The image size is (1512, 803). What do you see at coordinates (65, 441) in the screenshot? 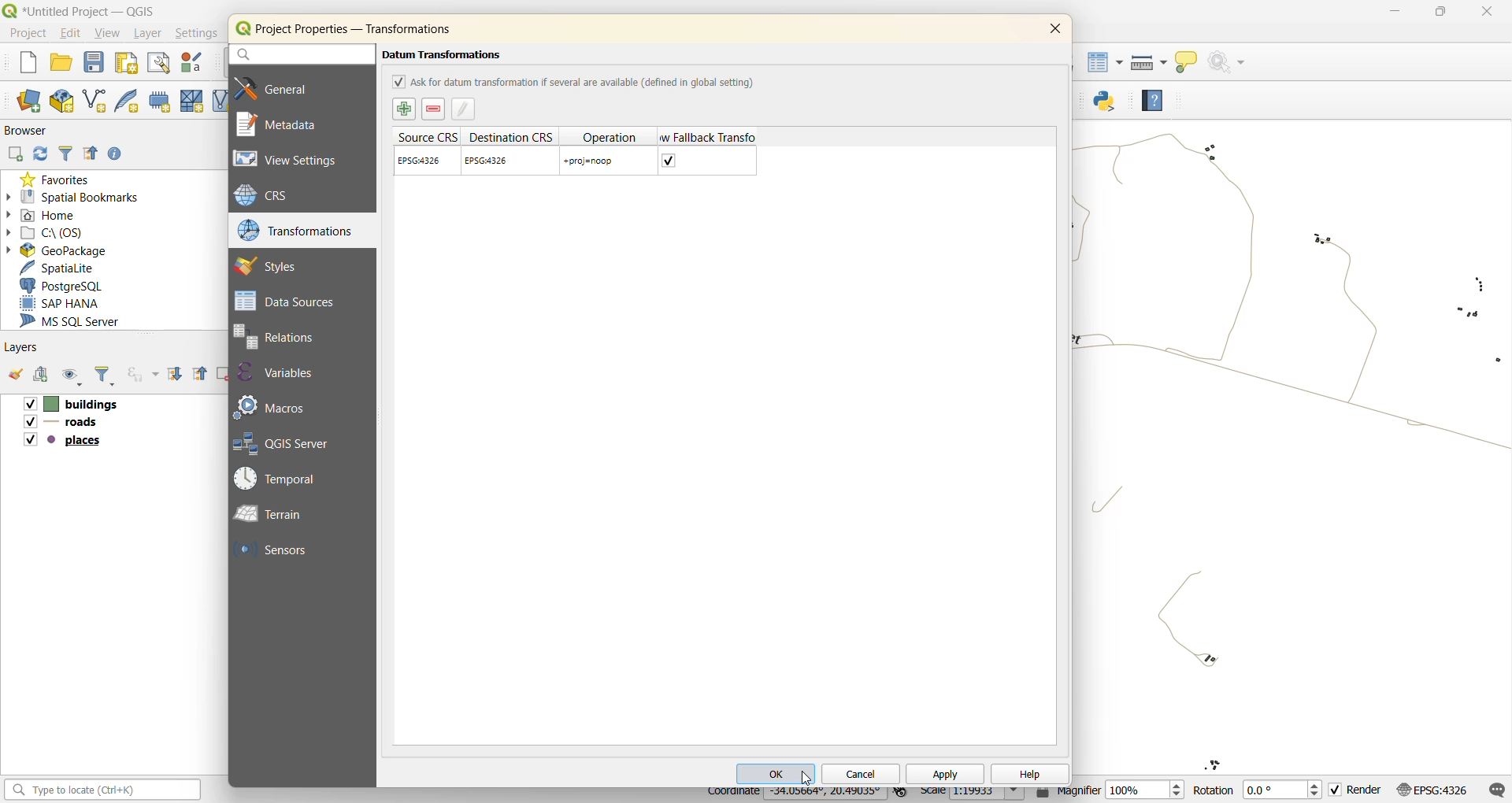
I see `places` at bounding box center [65, 441].